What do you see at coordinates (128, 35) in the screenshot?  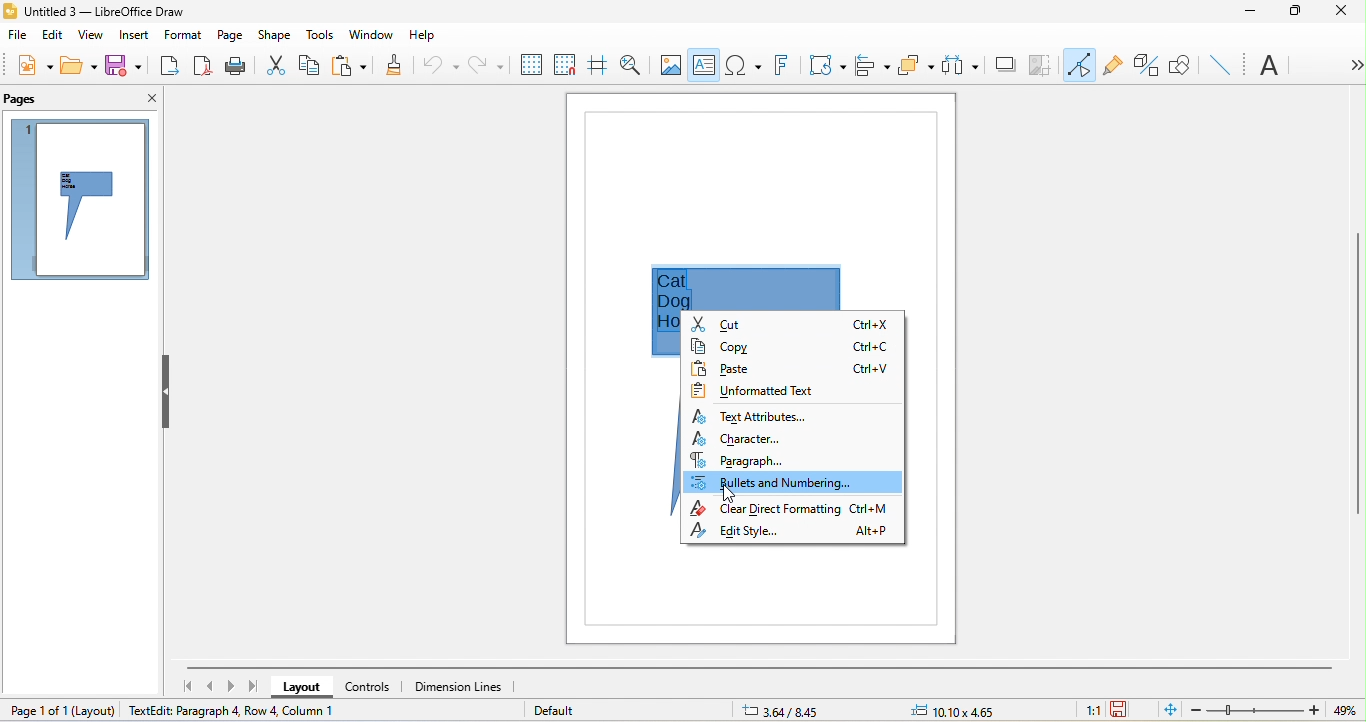 I see `insert` at bounding box center [128, 35].